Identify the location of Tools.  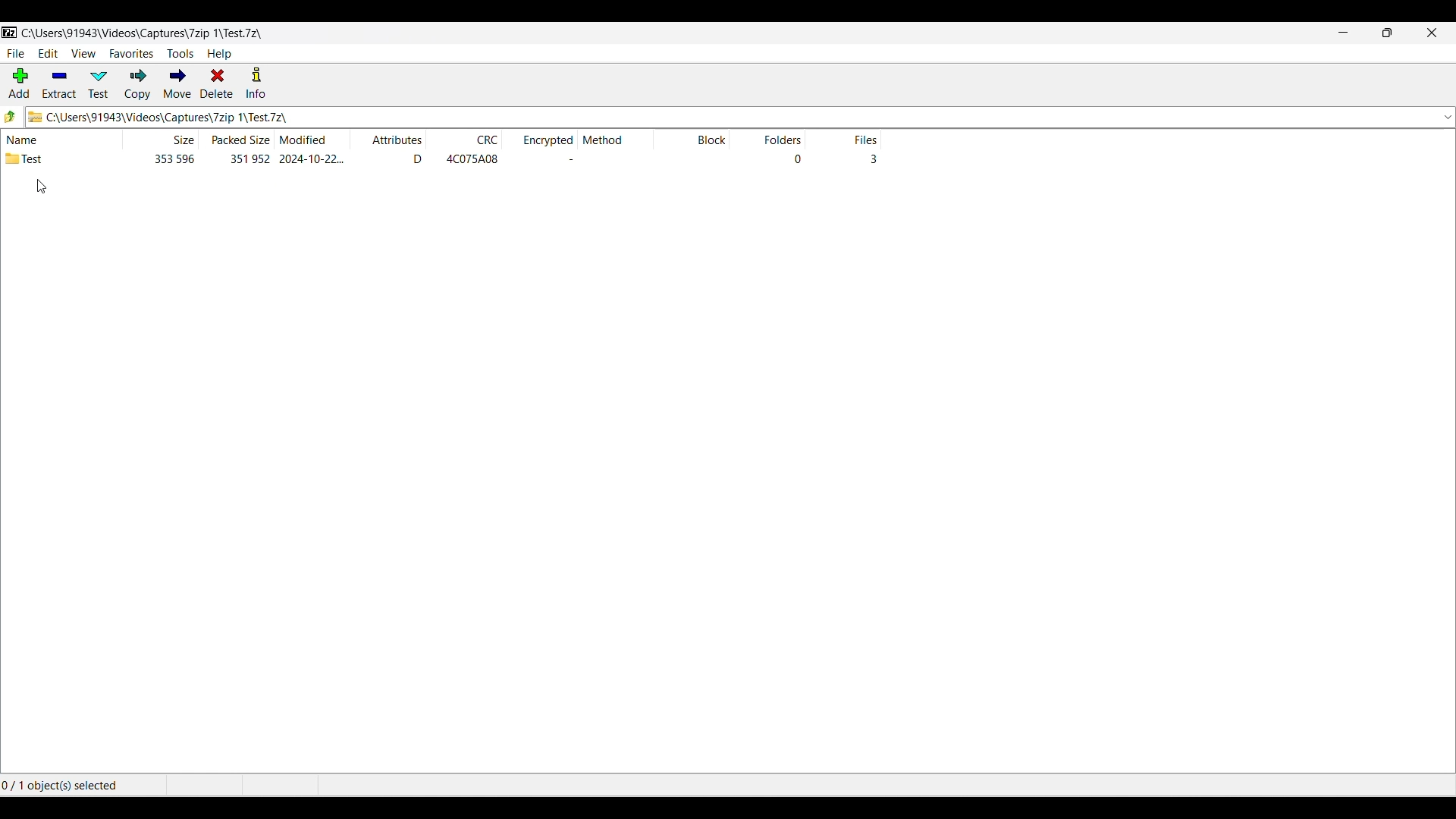
(180, 54).